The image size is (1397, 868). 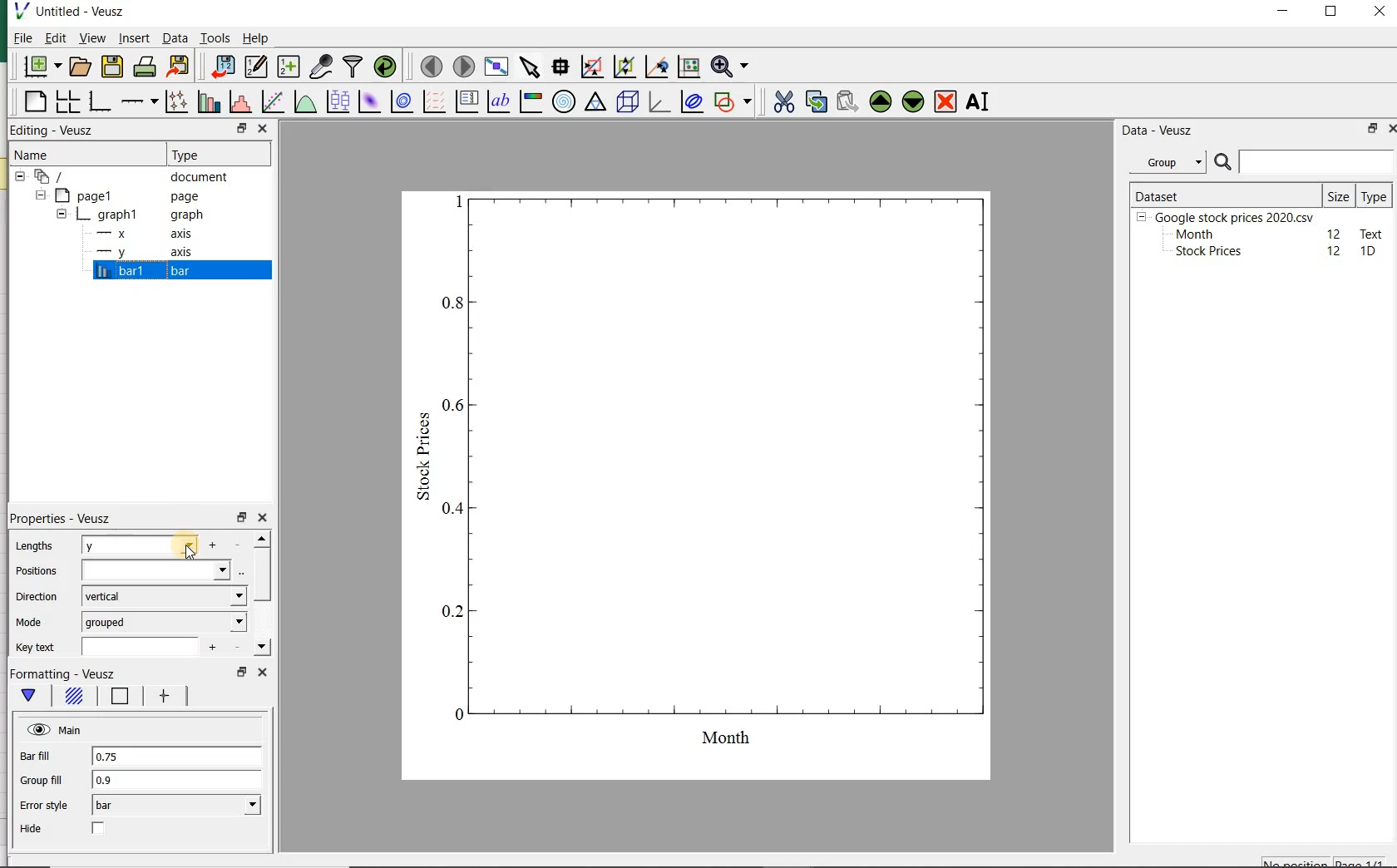 I want to click on y-axis, so click(x=141, y=253).